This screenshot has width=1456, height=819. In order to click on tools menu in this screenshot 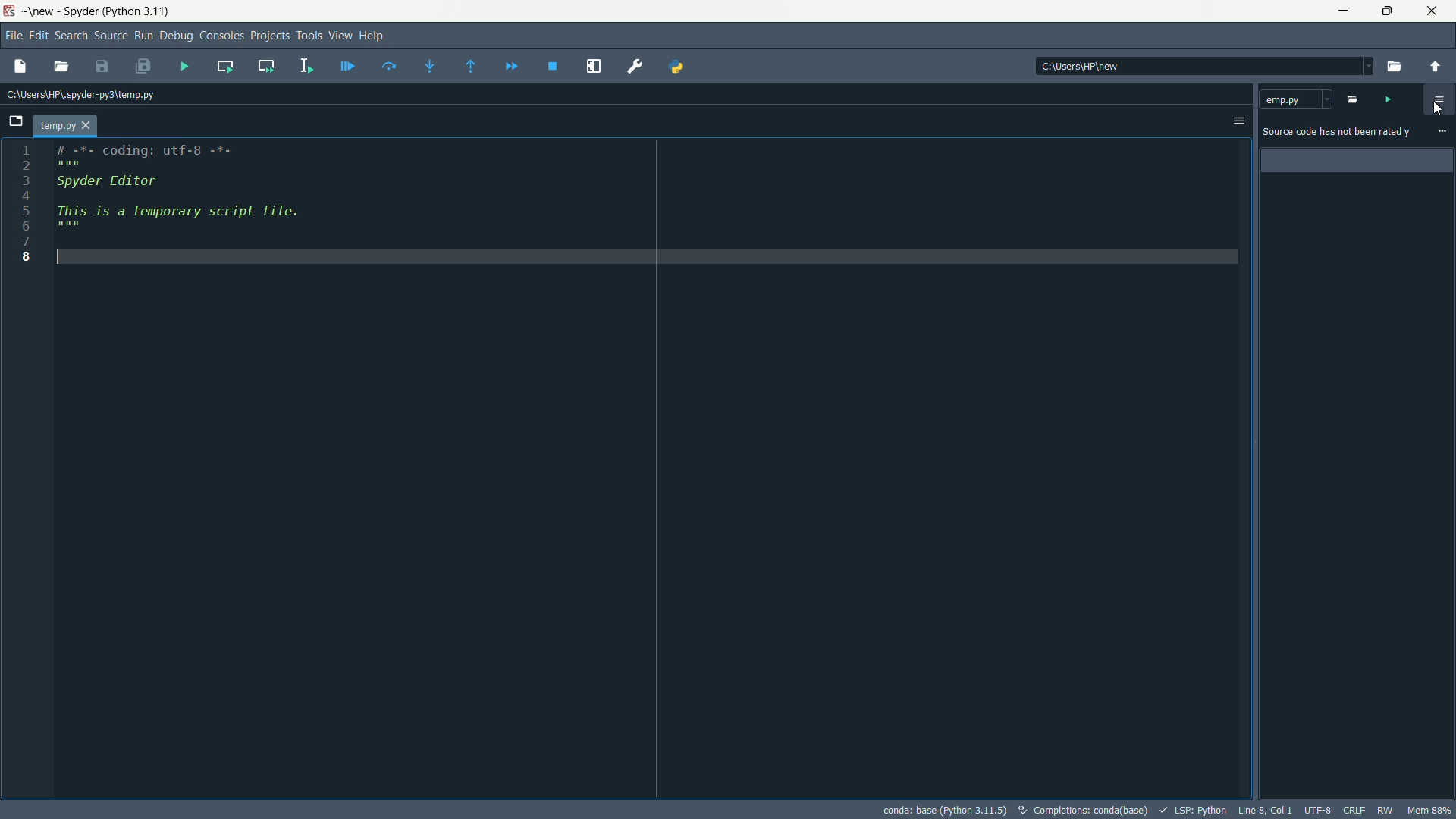, I will do `click(308, 37)`.